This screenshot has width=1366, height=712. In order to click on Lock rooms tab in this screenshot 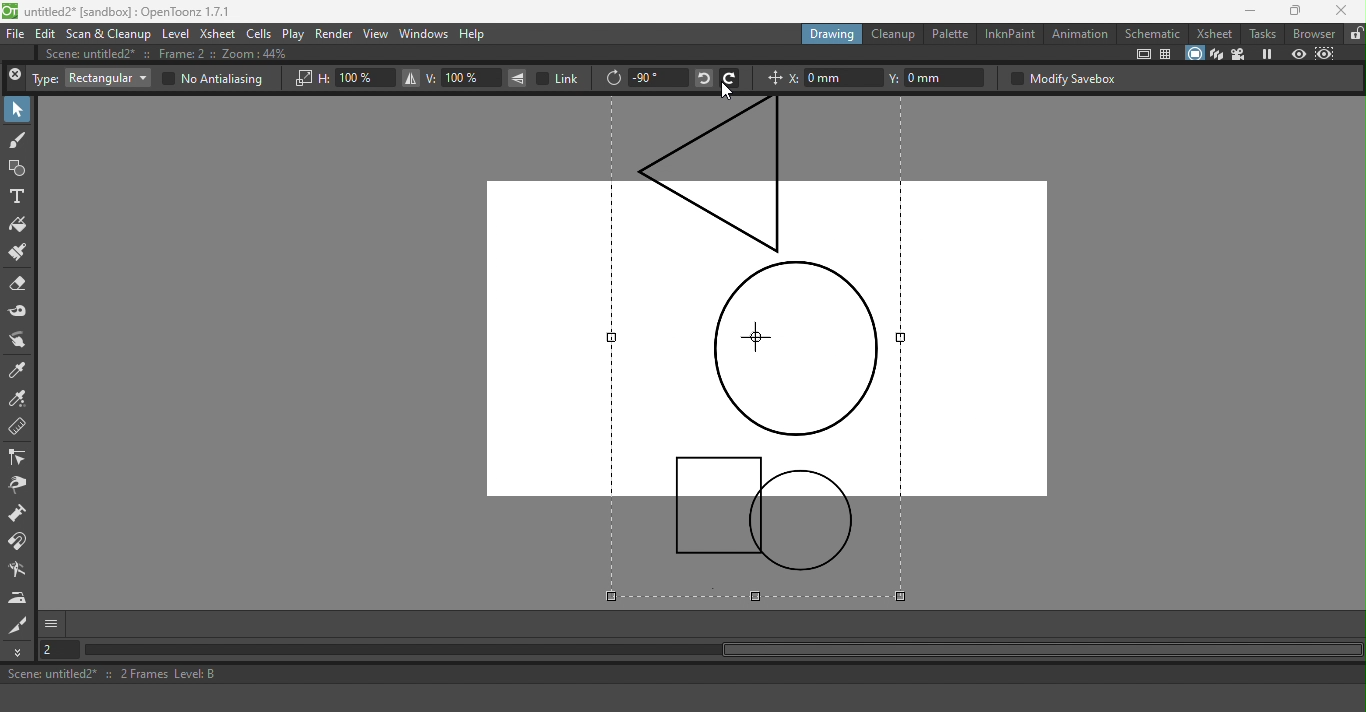, I will do `click(1354, 34)`.